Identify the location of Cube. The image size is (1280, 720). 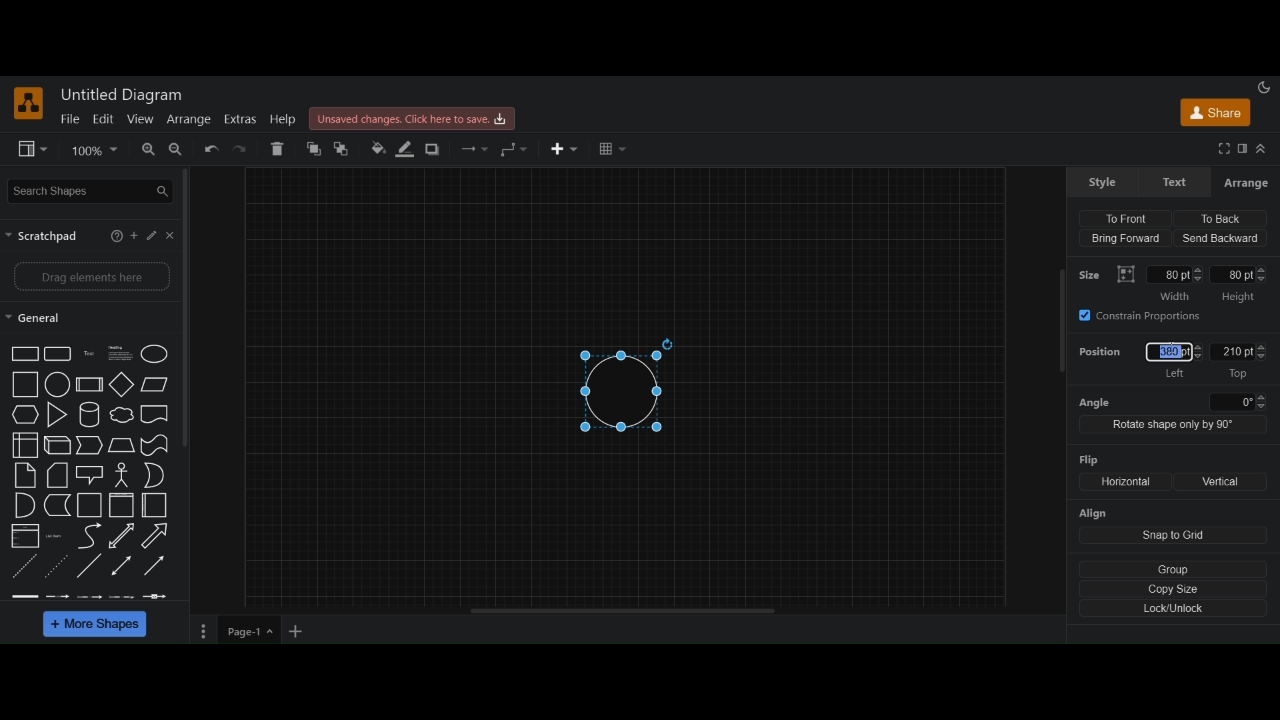
(58, 446).